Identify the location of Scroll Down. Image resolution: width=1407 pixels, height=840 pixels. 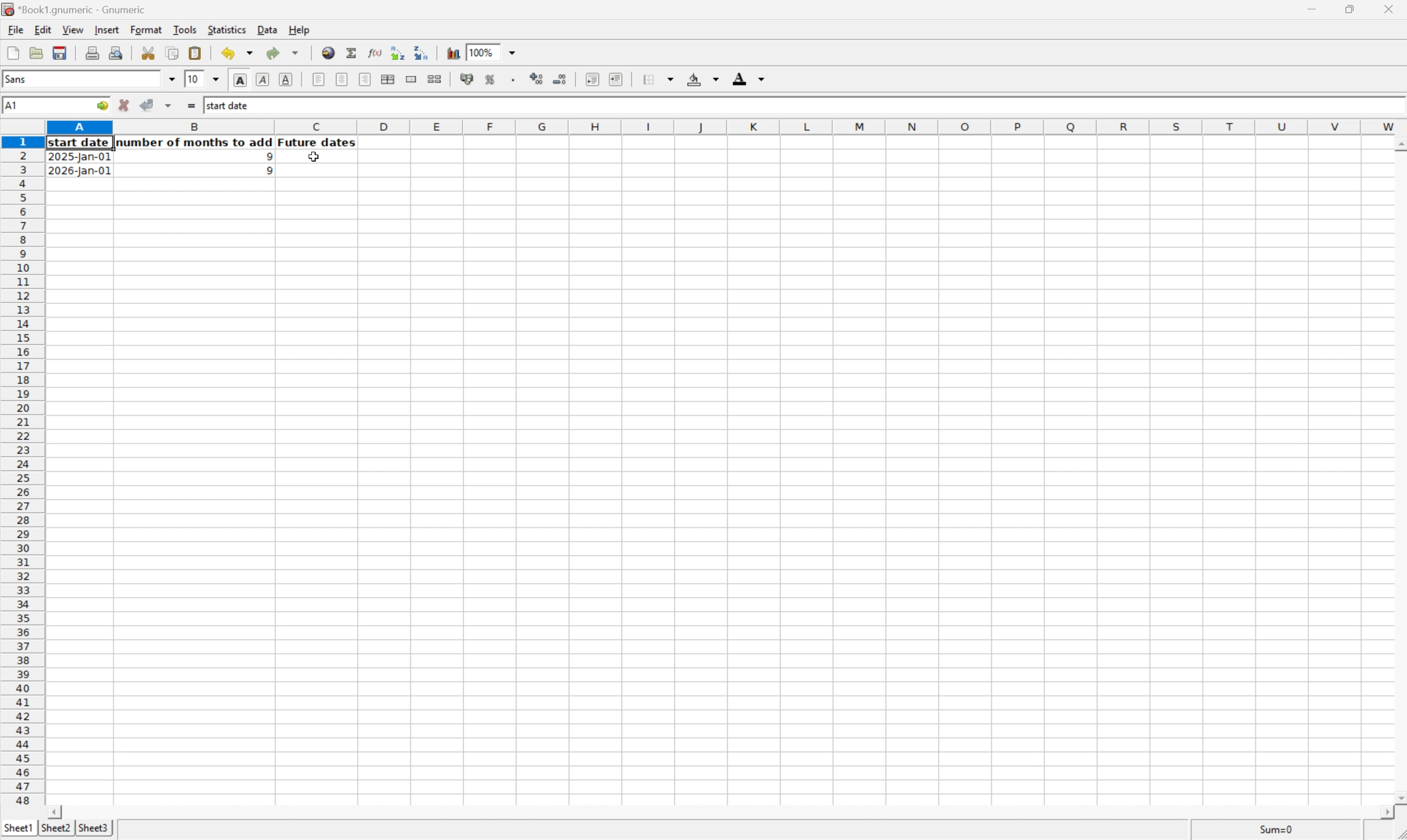
(1398, 796).